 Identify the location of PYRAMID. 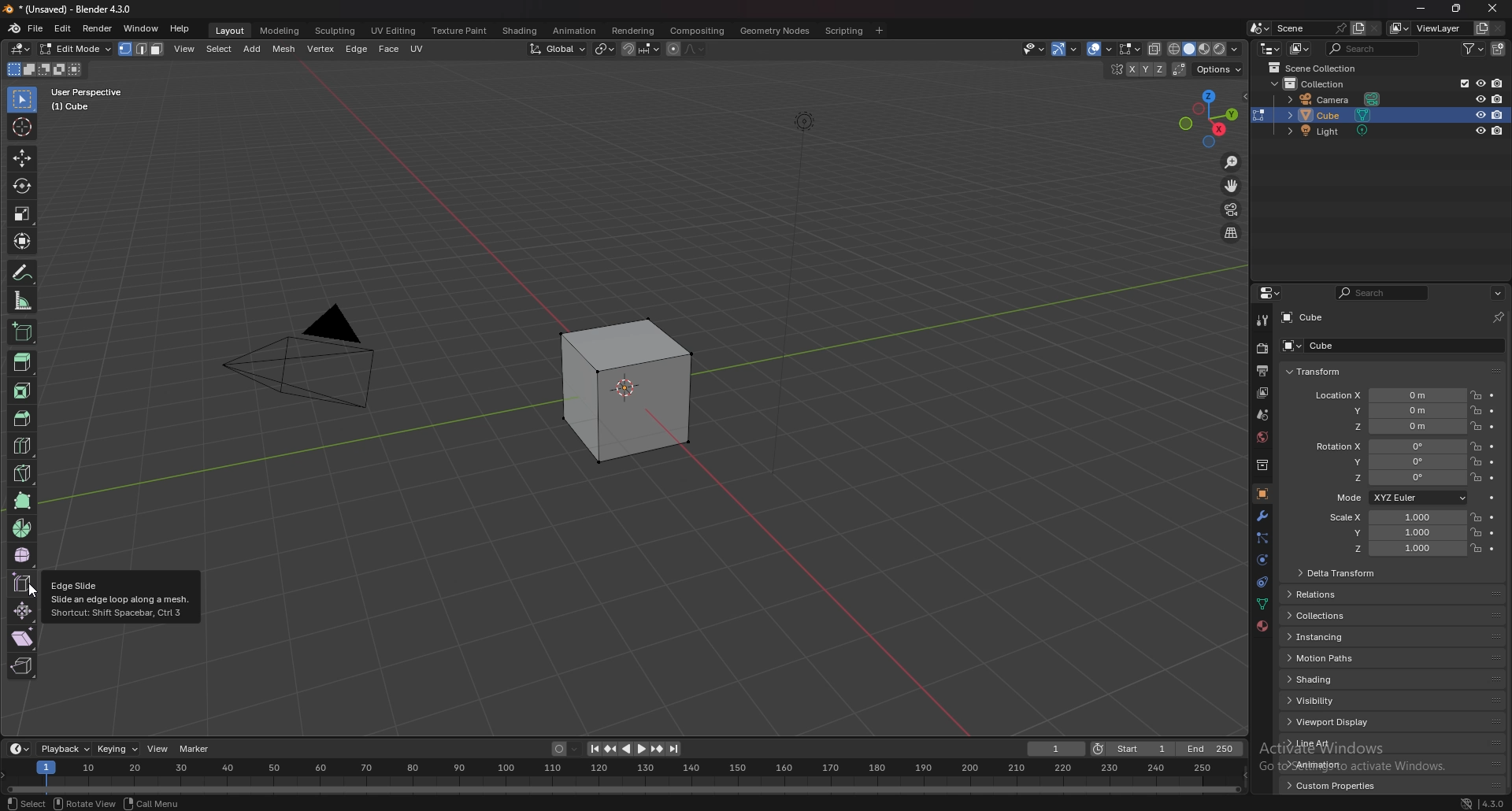
(313, 359).